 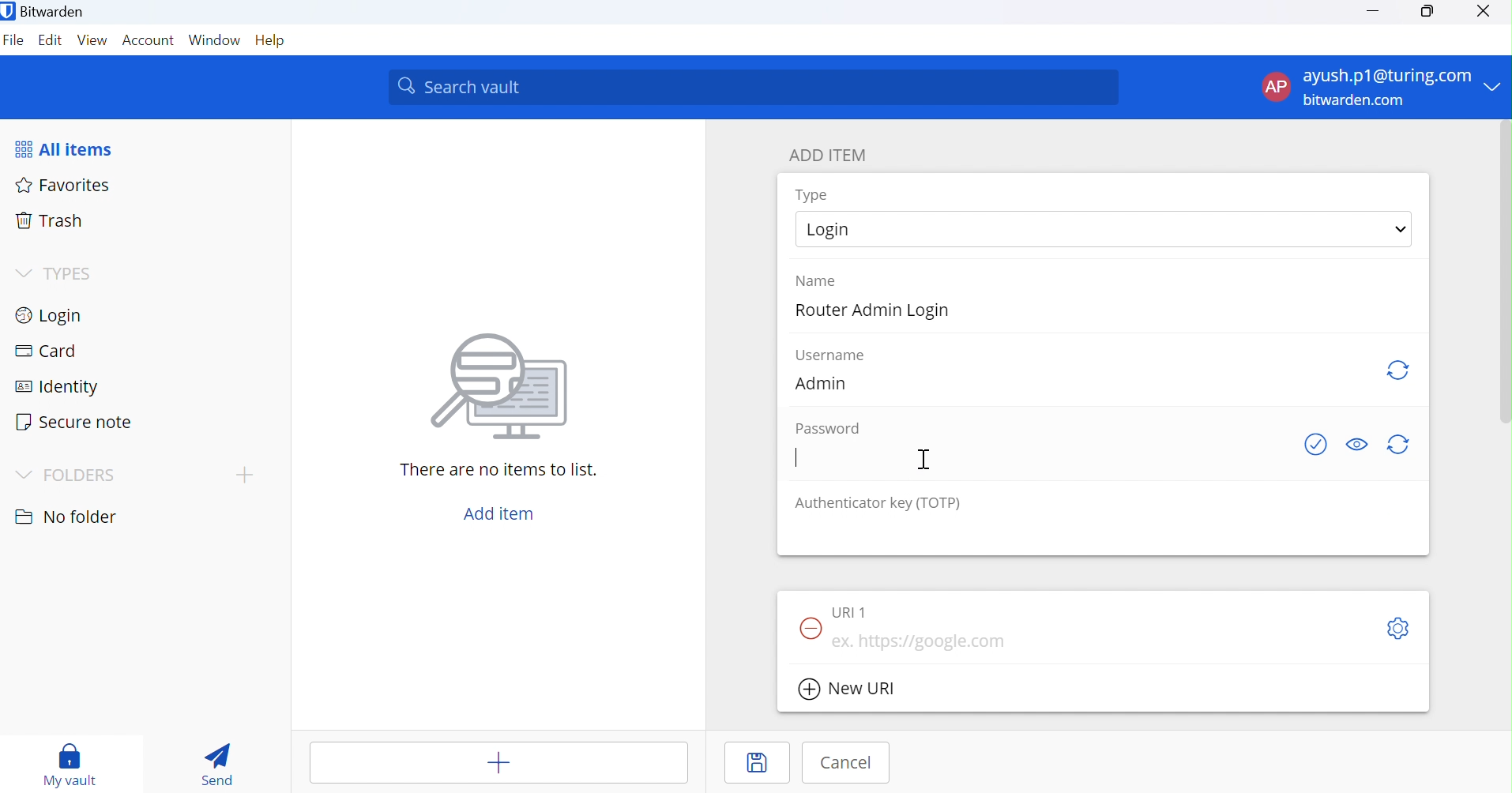 What do you see at coordinates (1102, 312) in the screenshot?
I see `add name` at bounding box center [1102, 312].